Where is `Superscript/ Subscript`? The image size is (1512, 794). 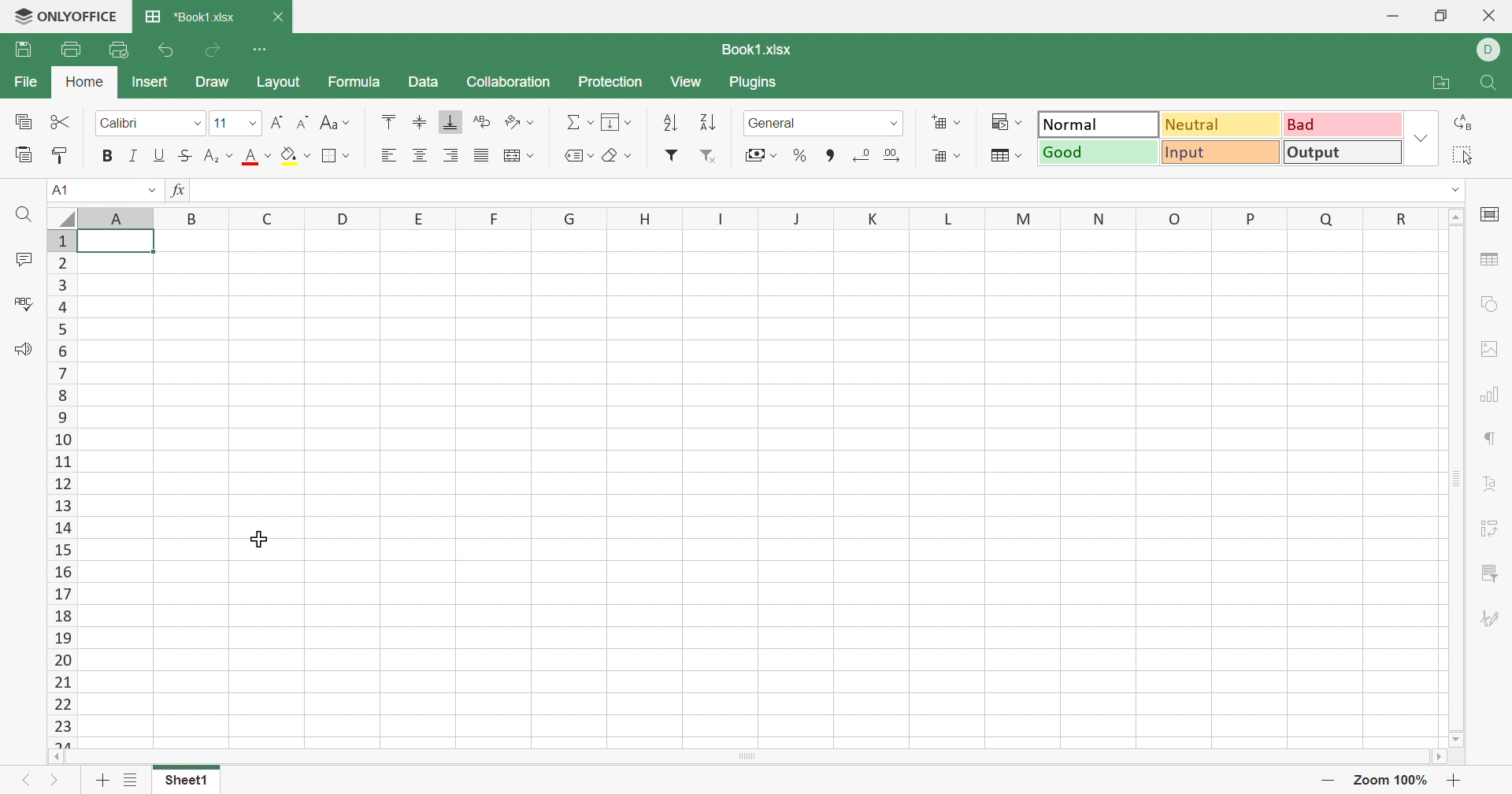
Superscript/ Subscript is located at coordinates (211, 156).